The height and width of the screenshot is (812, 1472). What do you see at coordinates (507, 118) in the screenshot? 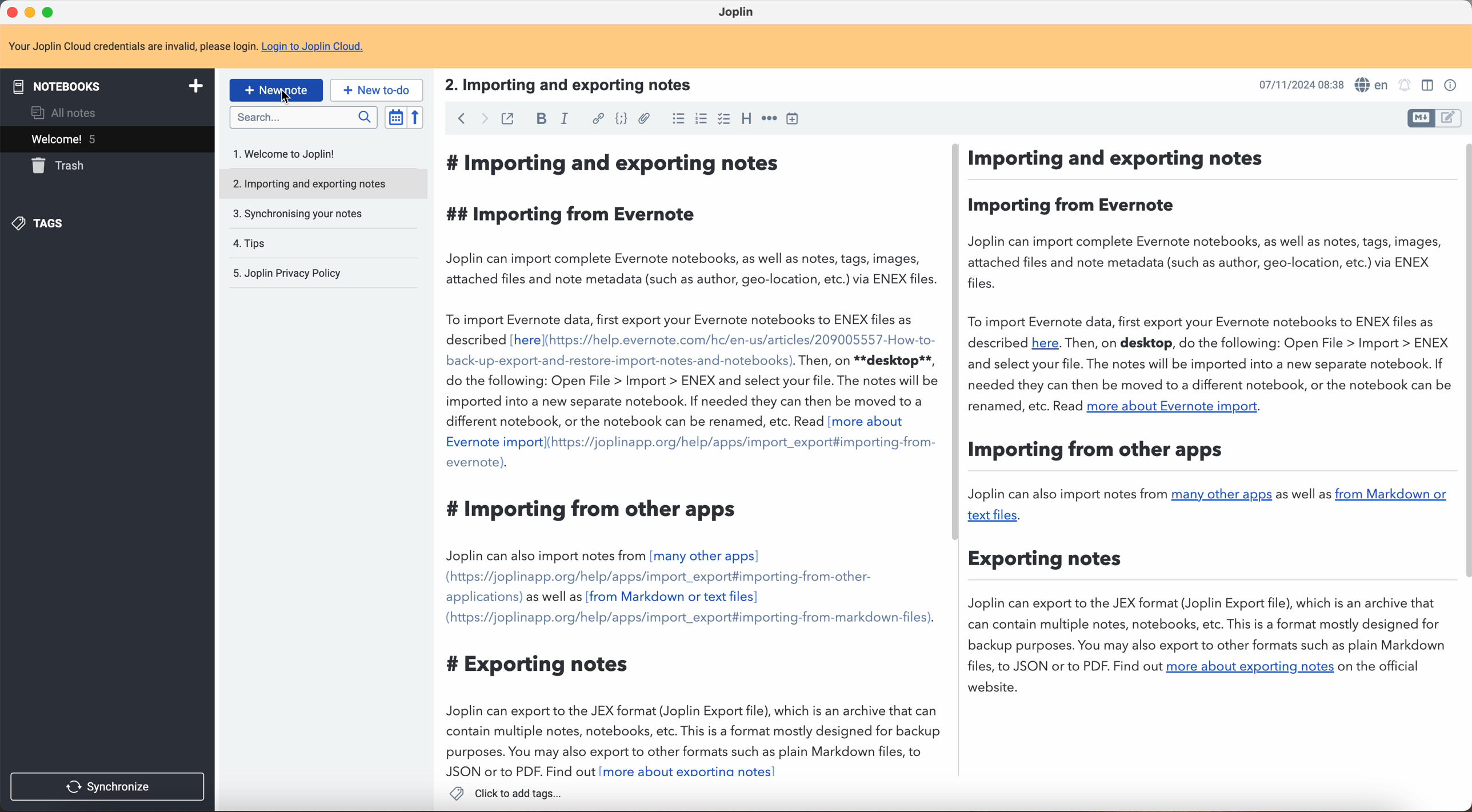
I see `toggle external editing` at bounding box center [507, 118].